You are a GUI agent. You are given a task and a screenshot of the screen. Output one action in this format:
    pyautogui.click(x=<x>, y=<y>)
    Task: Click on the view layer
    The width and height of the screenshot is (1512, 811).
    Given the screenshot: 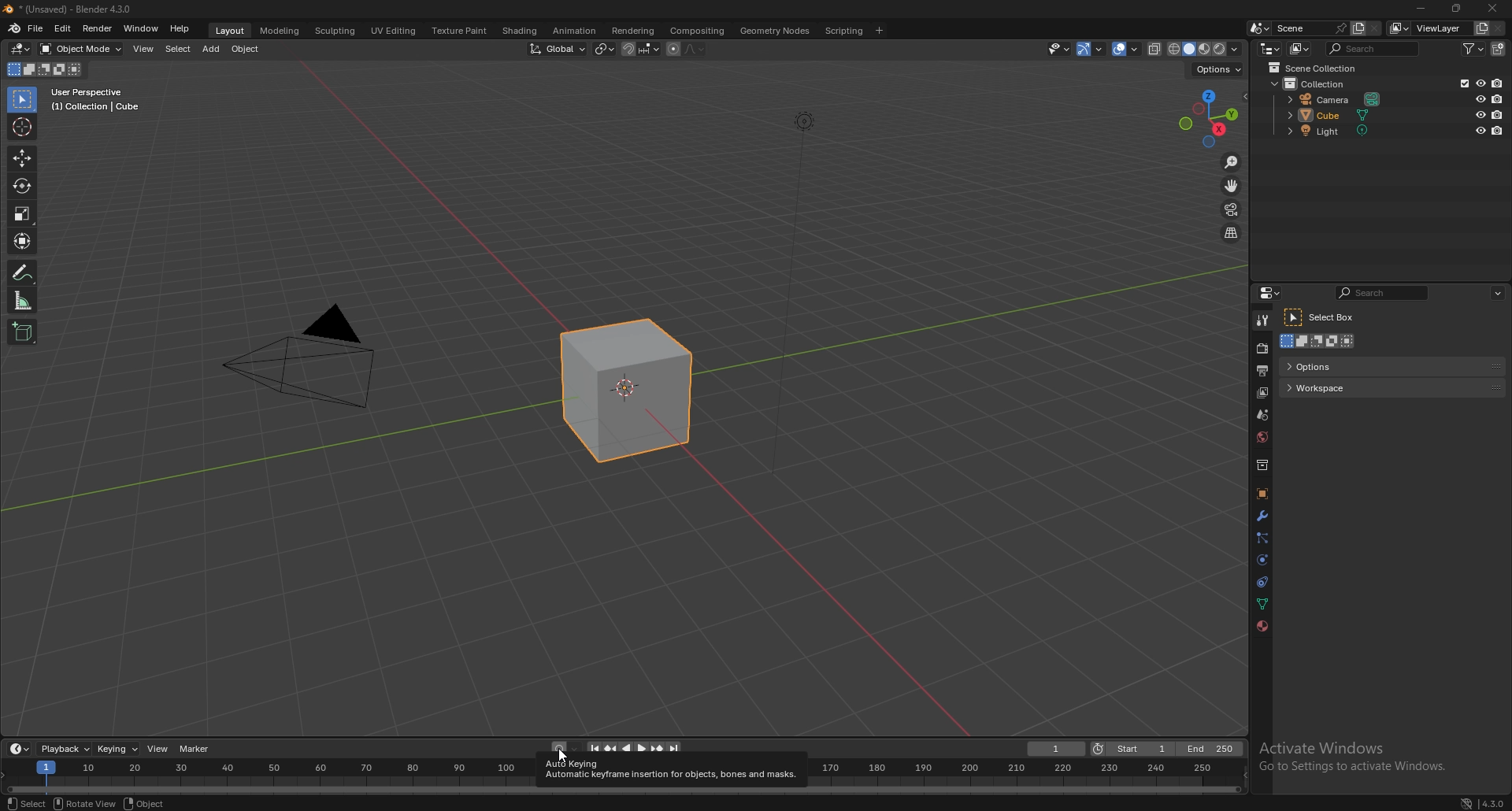 What is the action you would take?
    pyautogui.click(x=1262, y=393)
    